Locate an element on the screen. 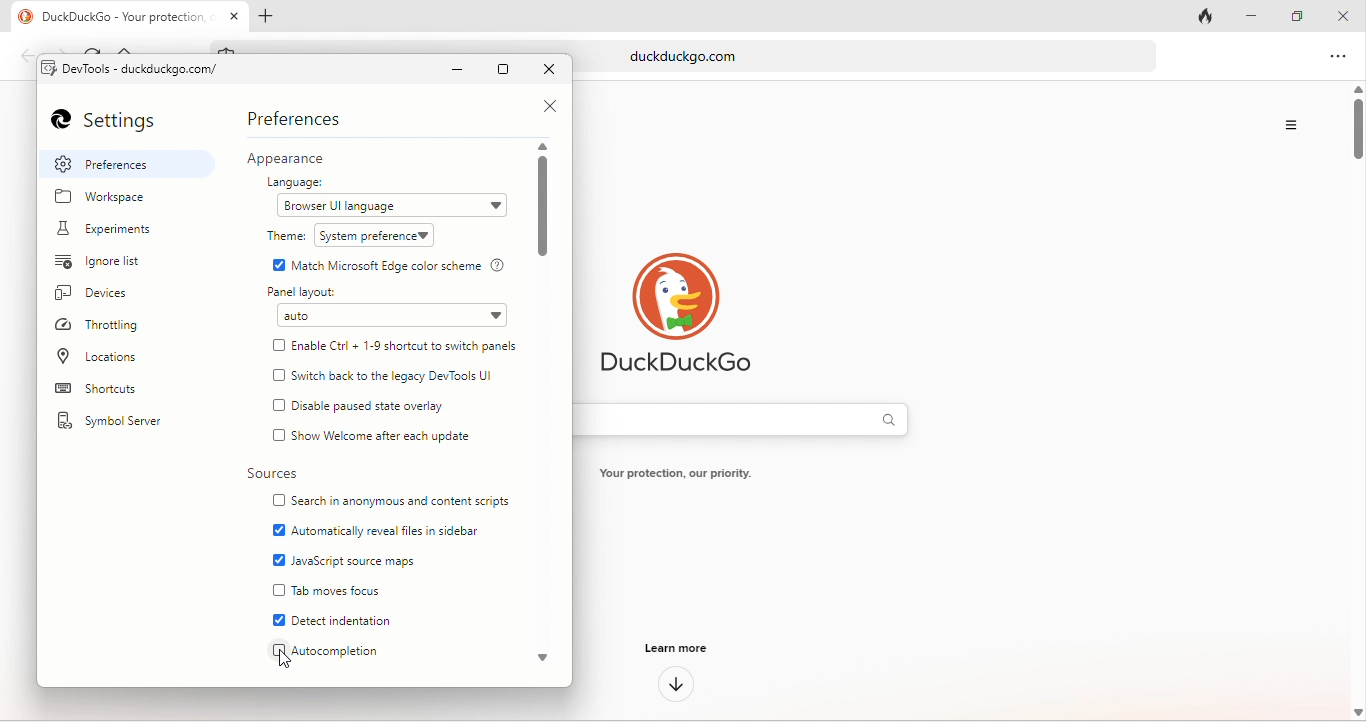  checkbox is located at coordinates (280, 375).